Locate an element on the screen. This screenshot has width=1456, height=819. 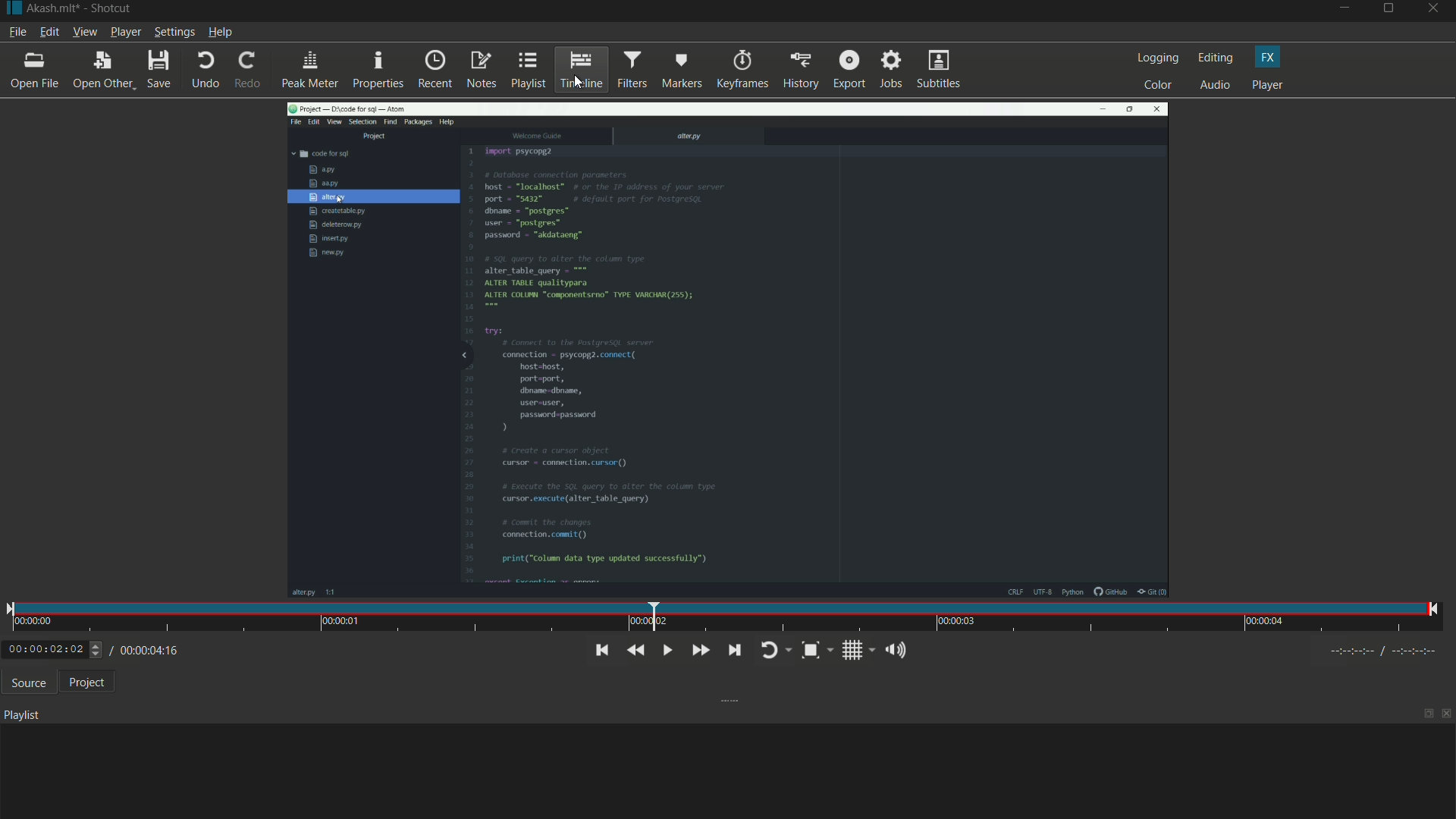
open other is located at coordinates (99, 71).